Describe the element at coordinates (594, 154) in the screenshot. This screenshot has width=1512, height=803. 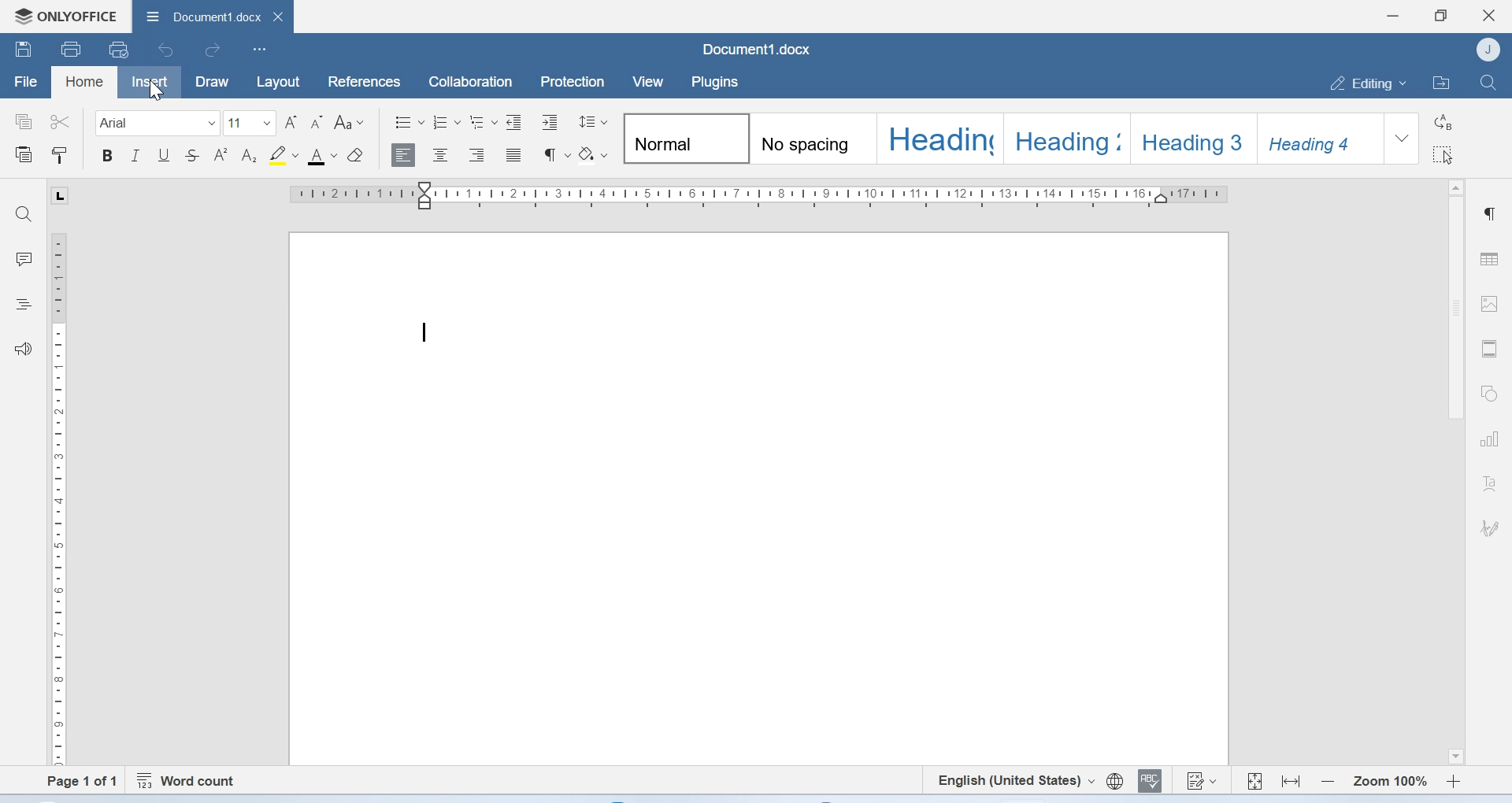
I see `Shading` at that location.